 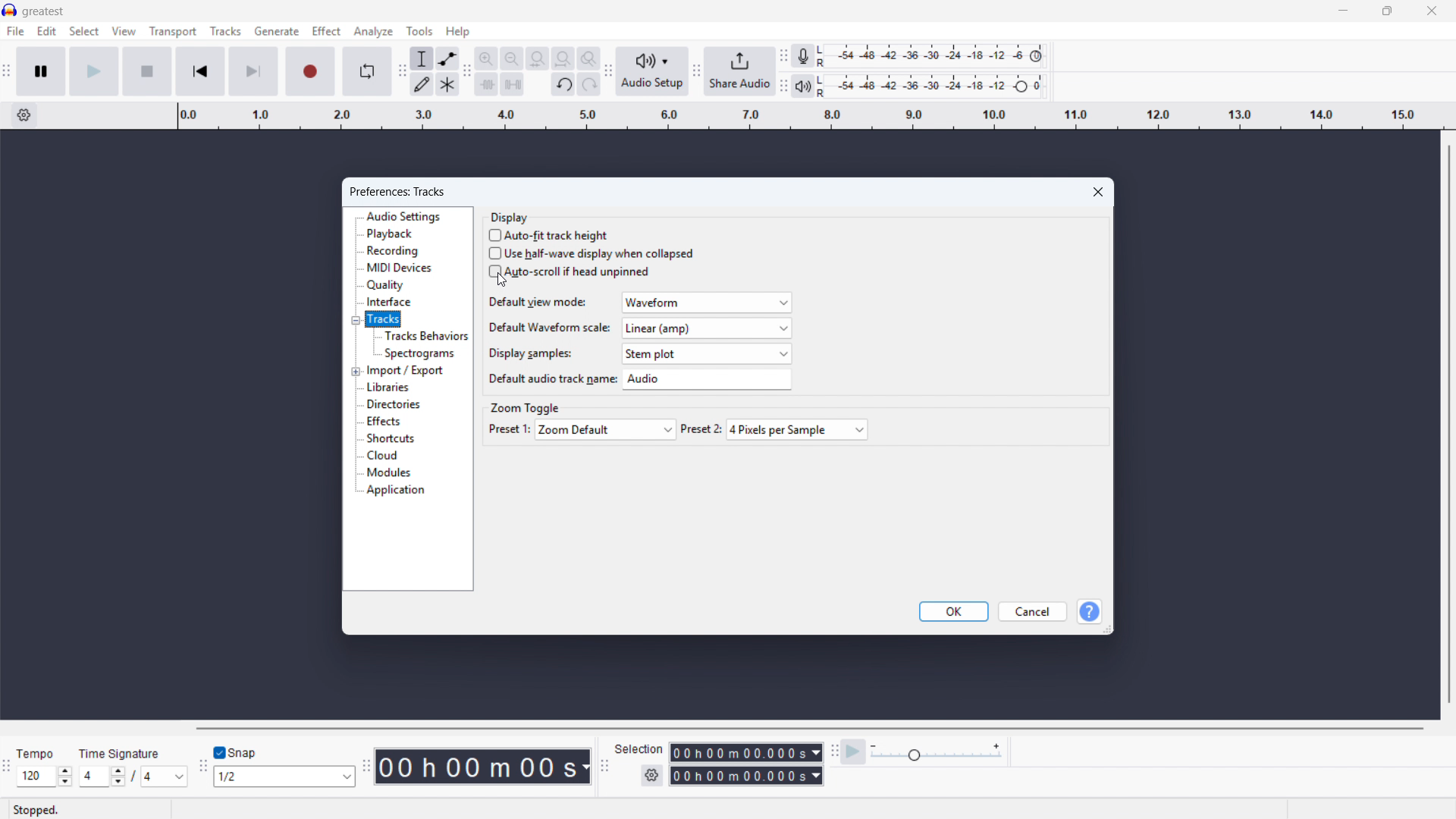 I want to click on Edit toolbar , so click(x=469, y=73).